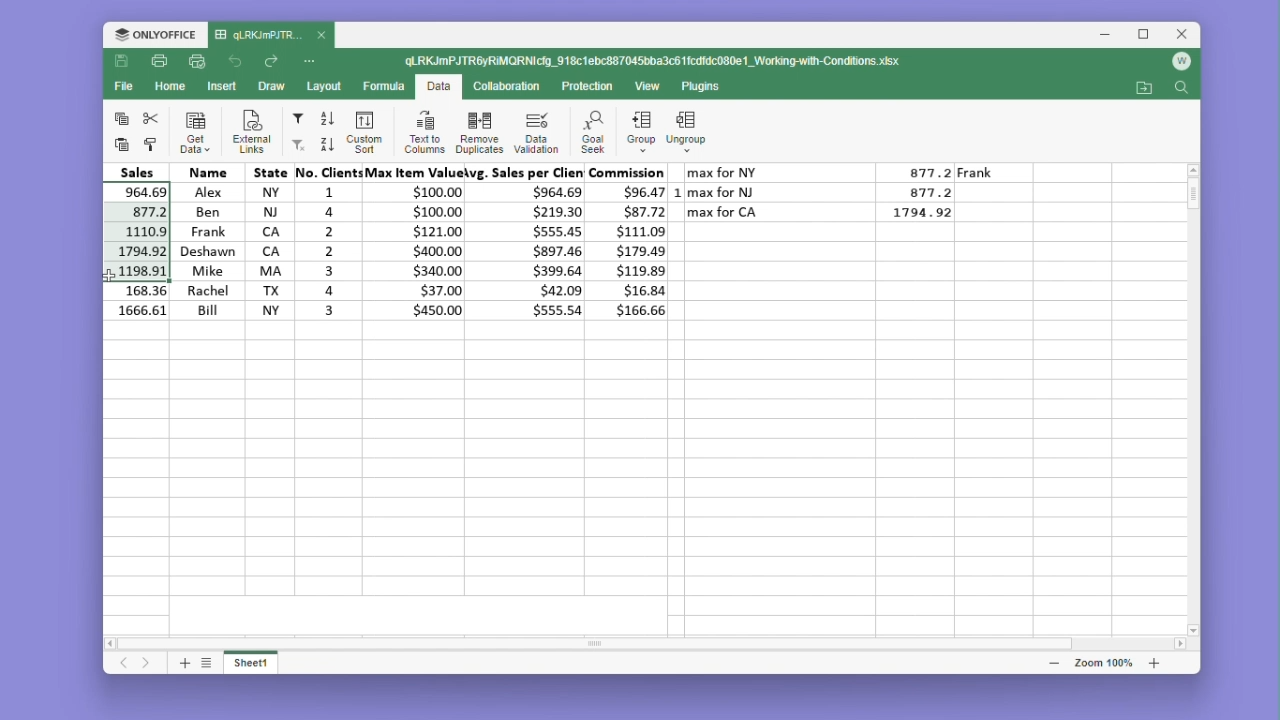 The height and width of the screenshot is (720, 1280). Describe the element at coordinates (1146, 88) in the screenshot. I see `Go to file location` at that location.